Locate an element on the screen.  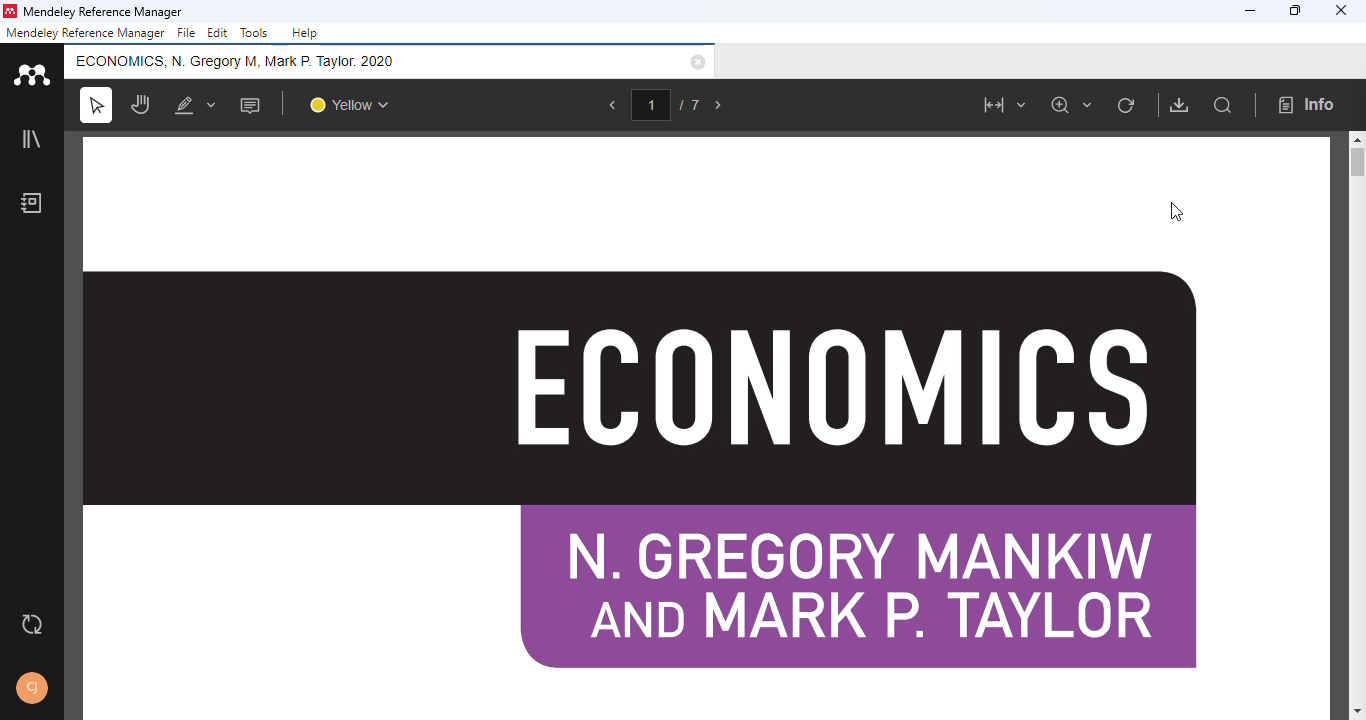
next page is located at coordinates (720, 106).